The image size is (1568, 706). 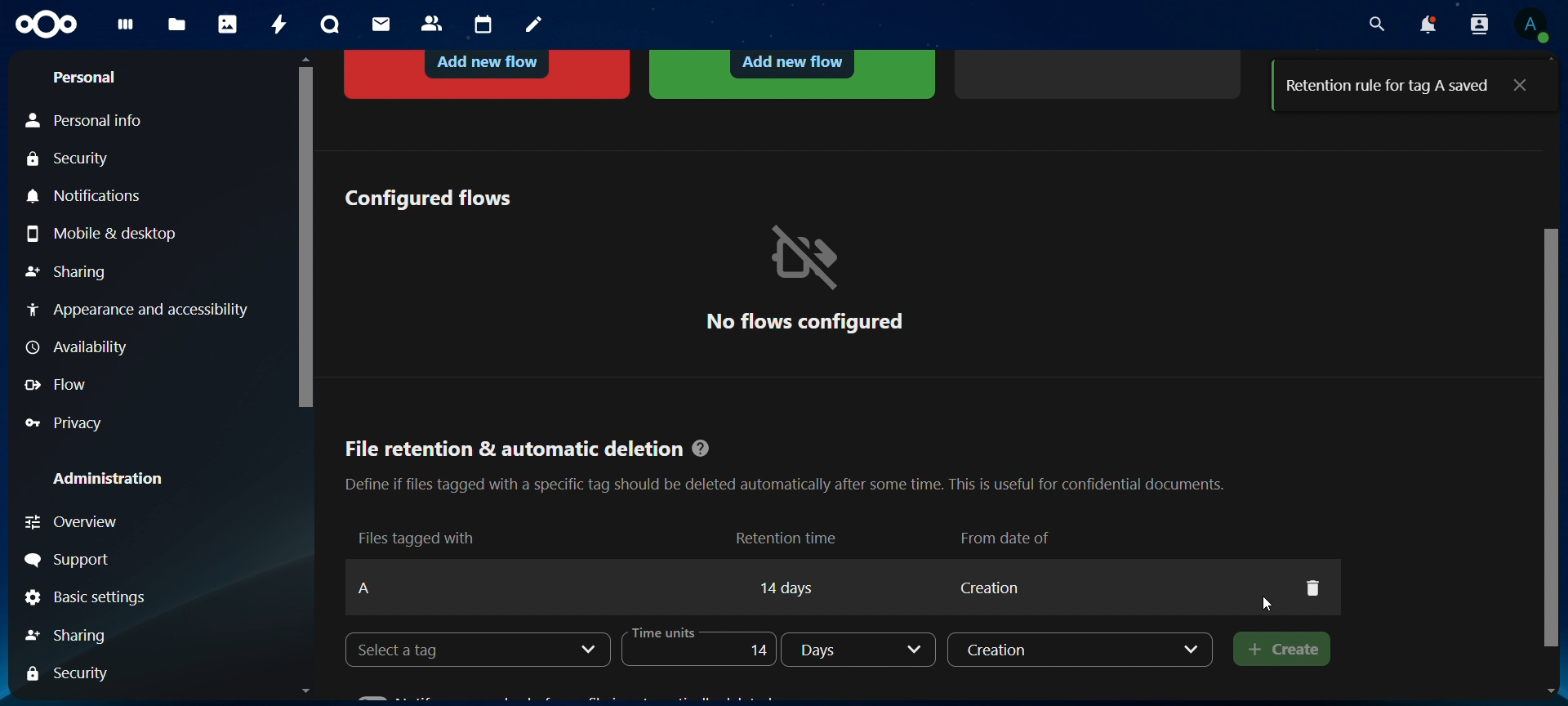 What do you see at coordinates (73, 160) in the screenshot?
I see `security` at bounding box center [73, 160].